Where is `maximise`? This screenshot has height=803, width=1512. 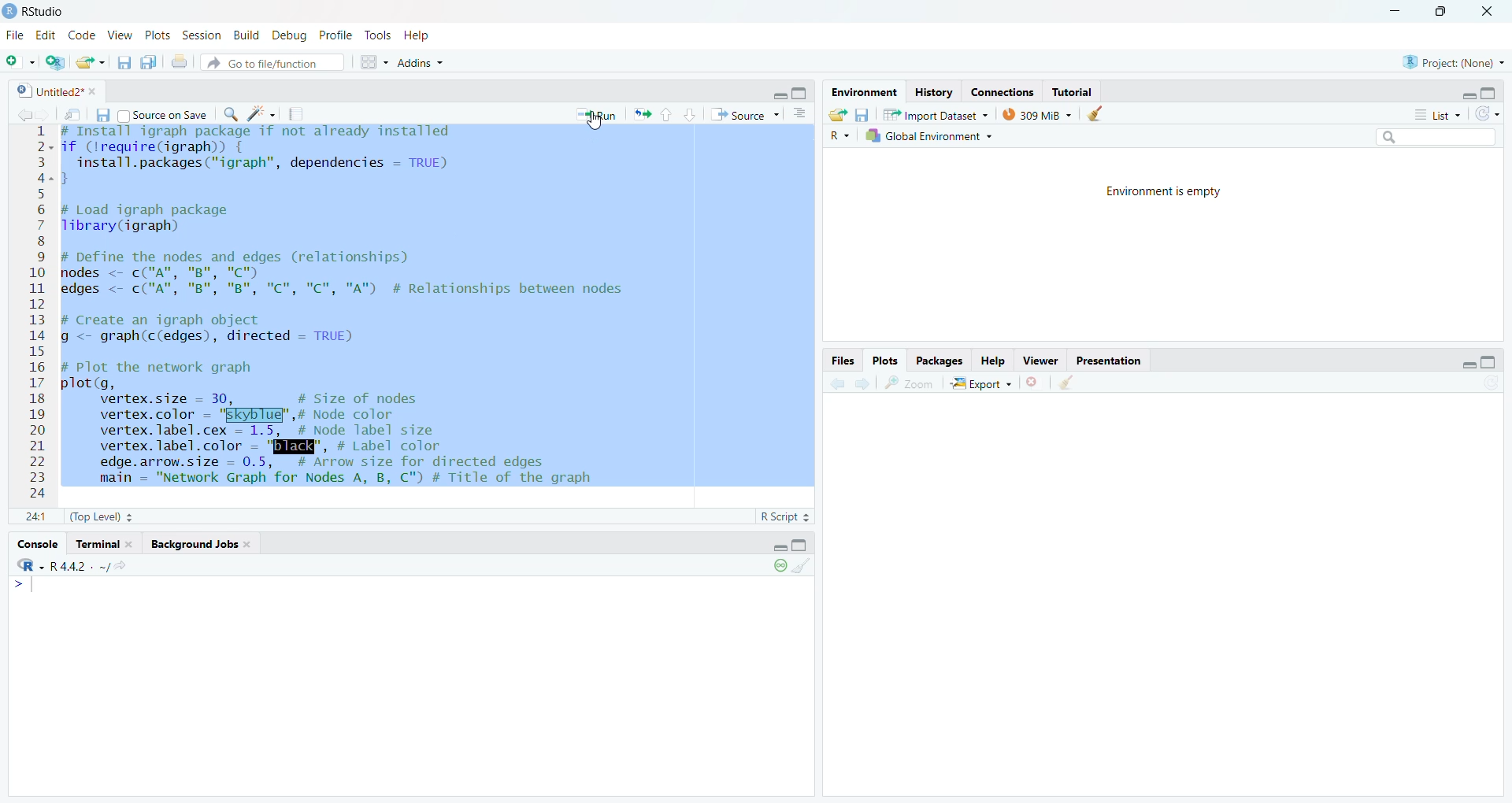
maximise is located at coordinates (805, 546).